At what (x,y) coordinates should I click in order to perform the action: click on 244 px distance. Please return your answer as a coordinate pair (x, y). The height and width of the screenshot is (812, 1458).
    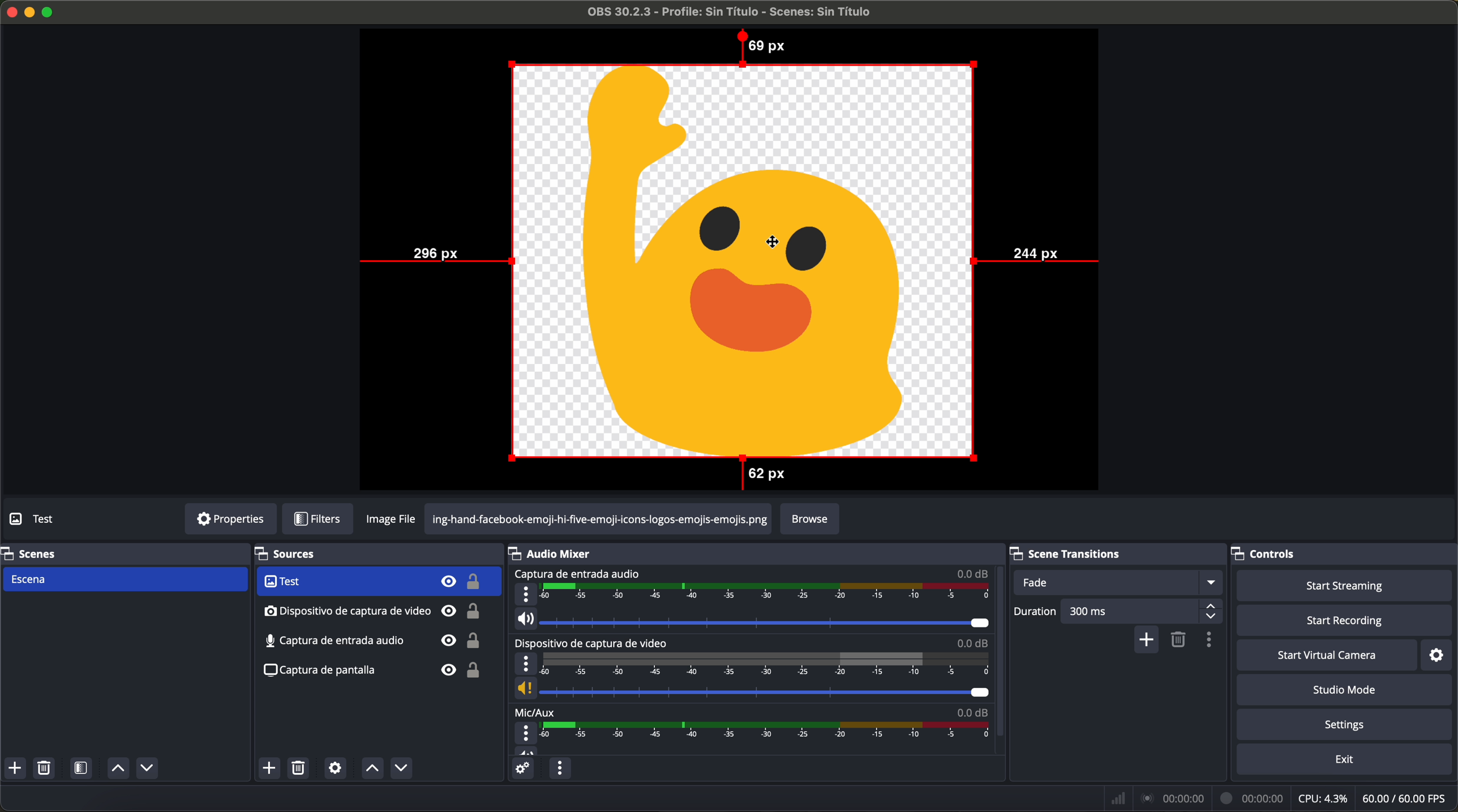
    Looking at the image, I should click on (1039, 259).